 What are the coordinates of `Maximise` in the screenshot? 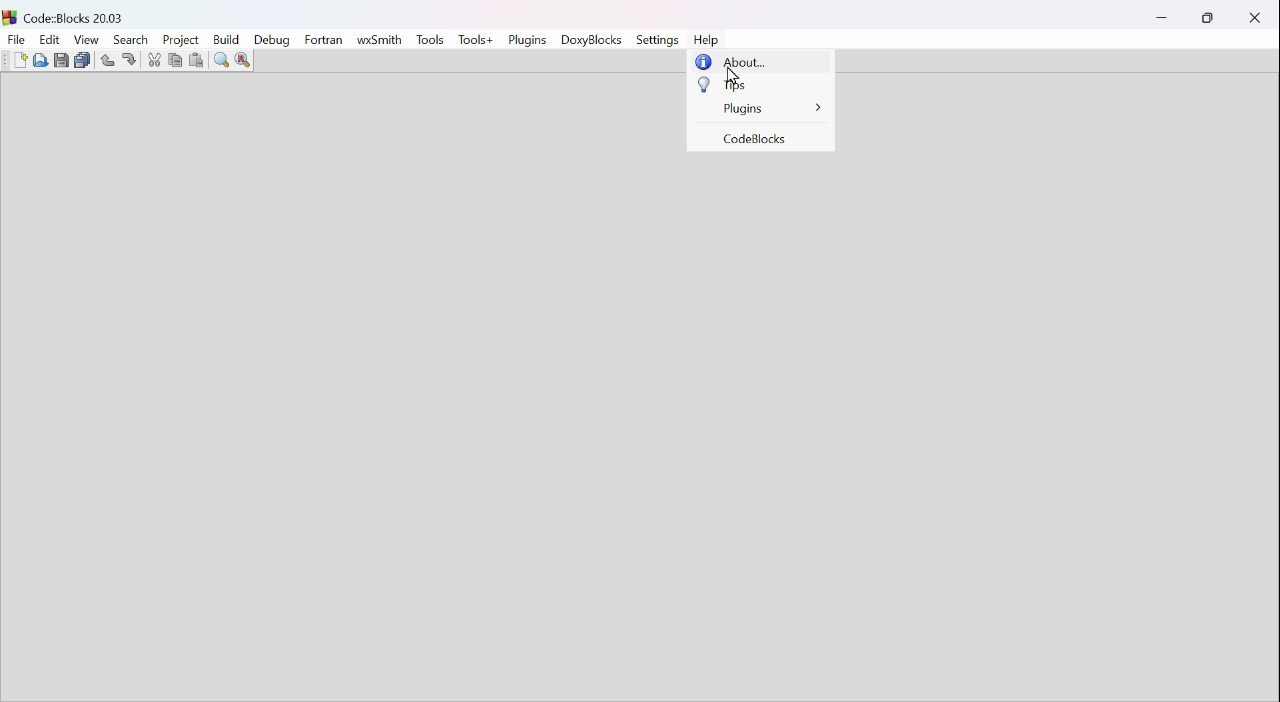 It's located at (1208, 19).